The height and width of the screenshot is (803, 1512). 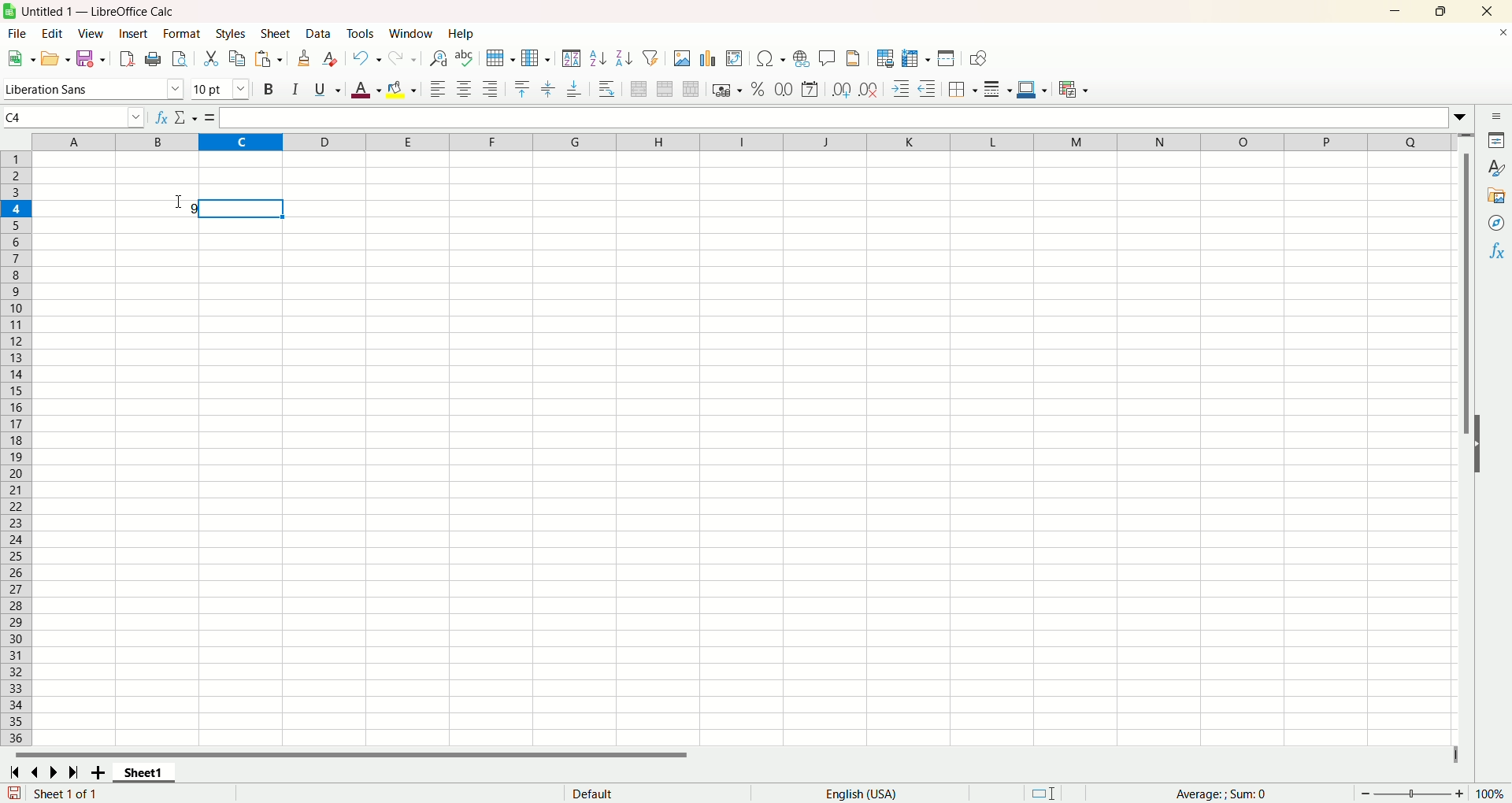 I want to click on add decimal place, so click(x=843, y=90).